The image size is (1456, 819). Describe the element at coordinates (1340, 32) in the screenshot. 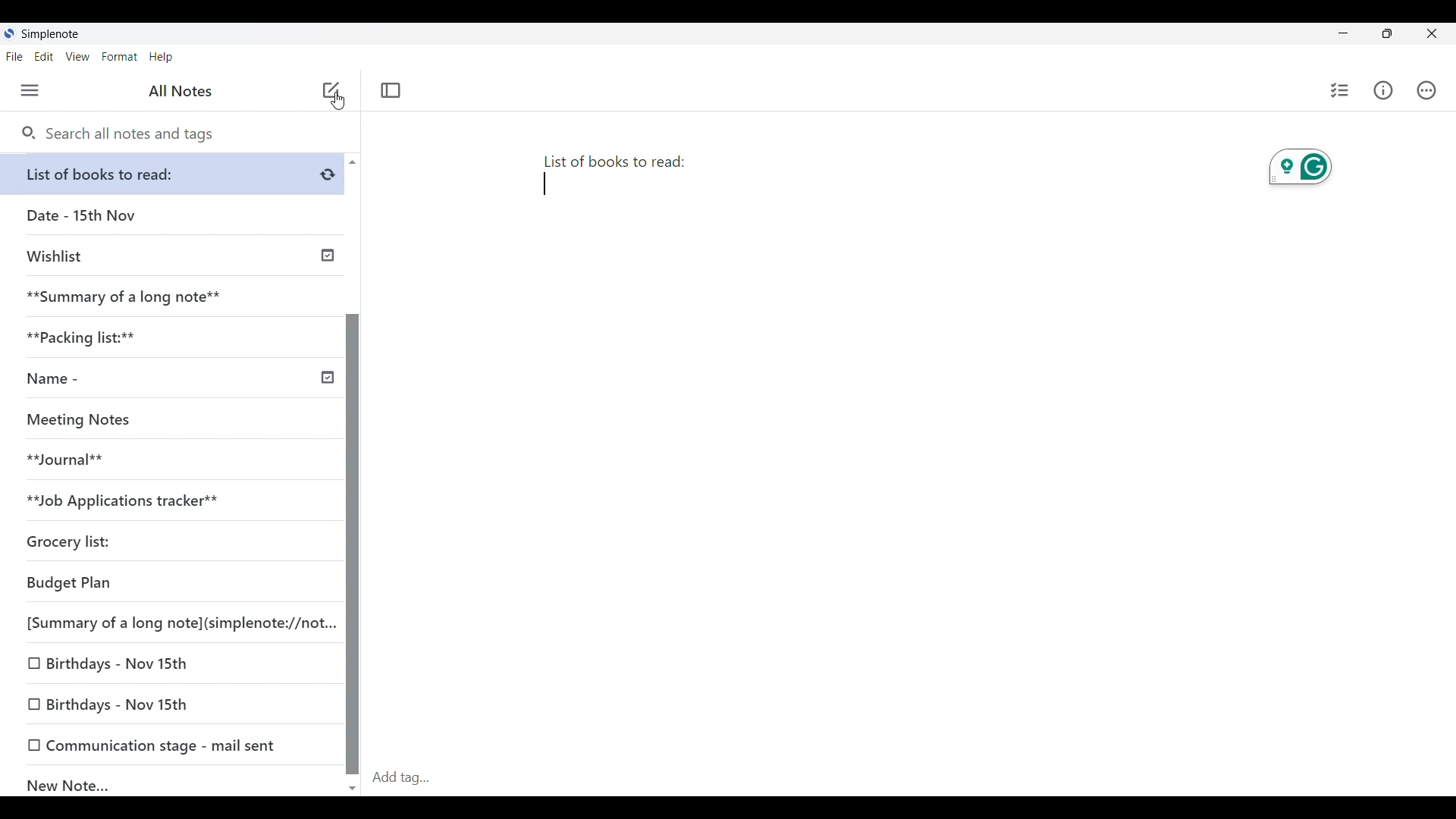

I see `Minimize` at that location.